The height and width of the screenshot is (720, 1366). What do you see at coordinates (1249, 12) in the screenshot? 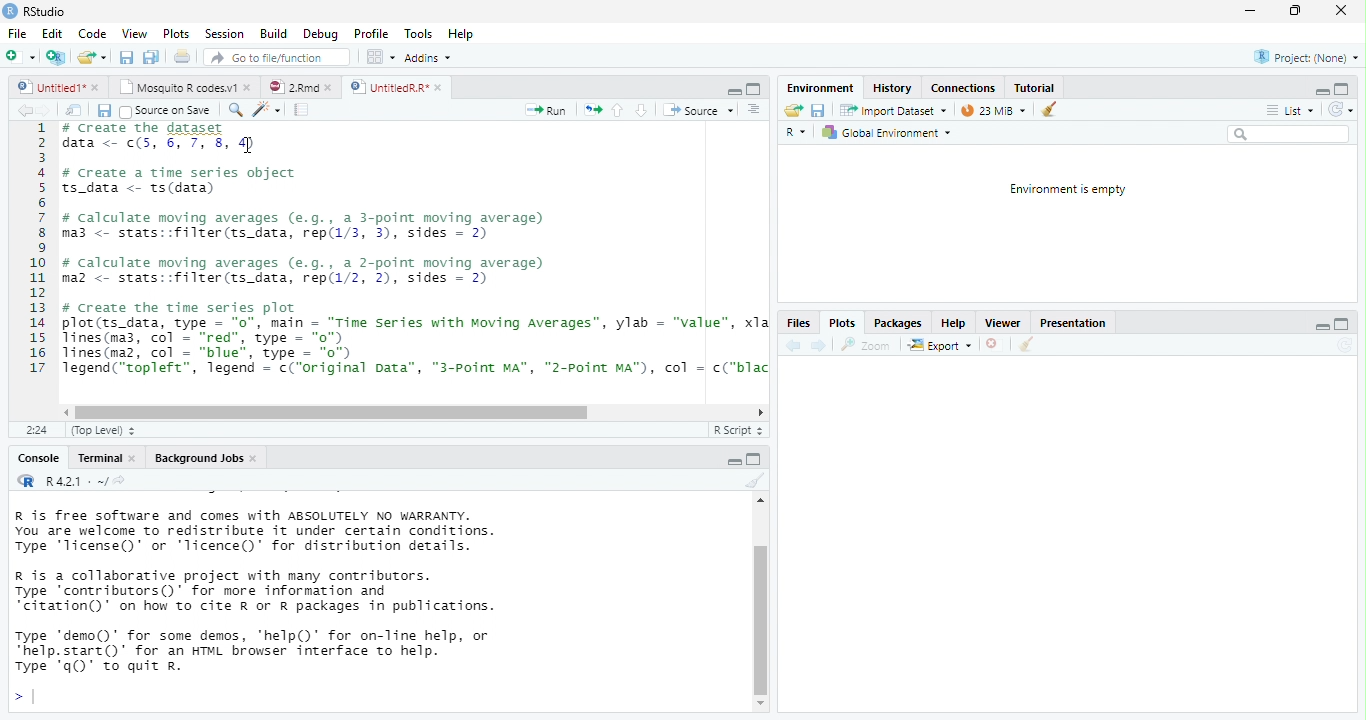
I see `minimize` at bounding box center [1249, 12].